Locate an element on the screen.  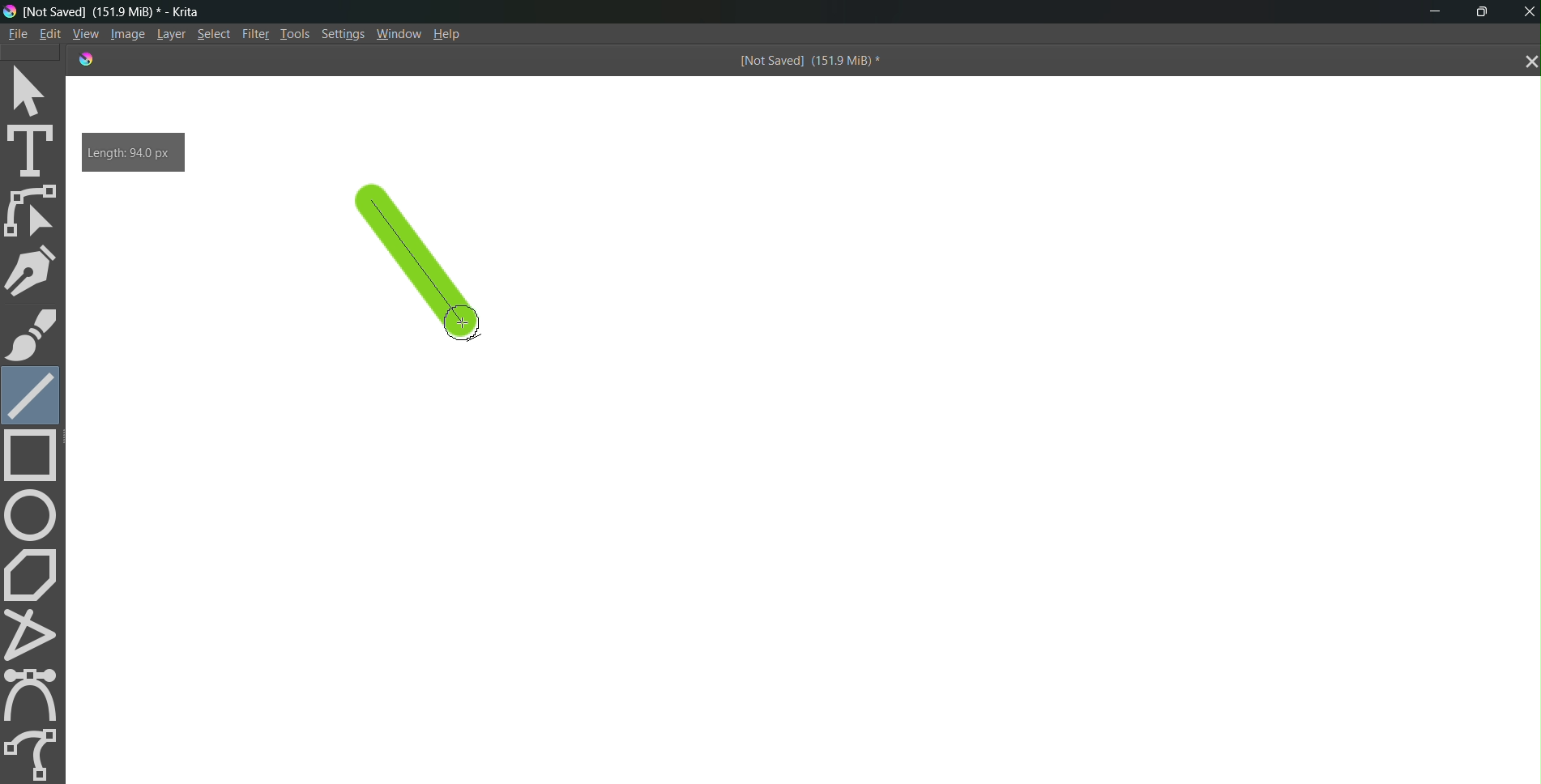
Close is located at coordinates (1526, 11).